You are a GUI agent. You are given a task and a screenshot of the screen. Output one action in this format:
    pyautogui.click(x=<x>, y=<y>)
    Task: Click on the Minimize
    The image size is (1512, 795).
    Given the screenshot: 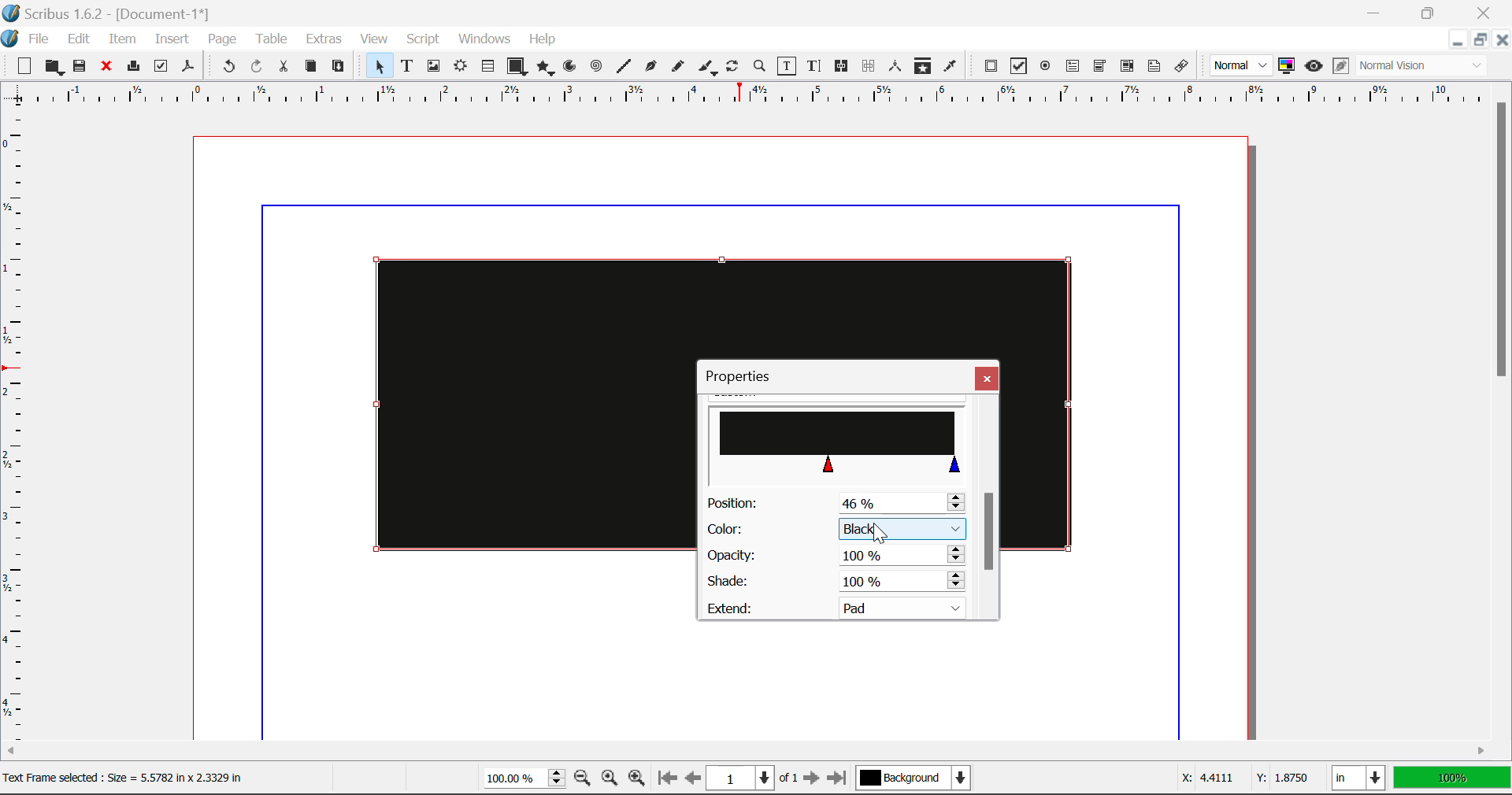 What is the action you would take?
    pyautogui.click(x=1429, y=11)
    